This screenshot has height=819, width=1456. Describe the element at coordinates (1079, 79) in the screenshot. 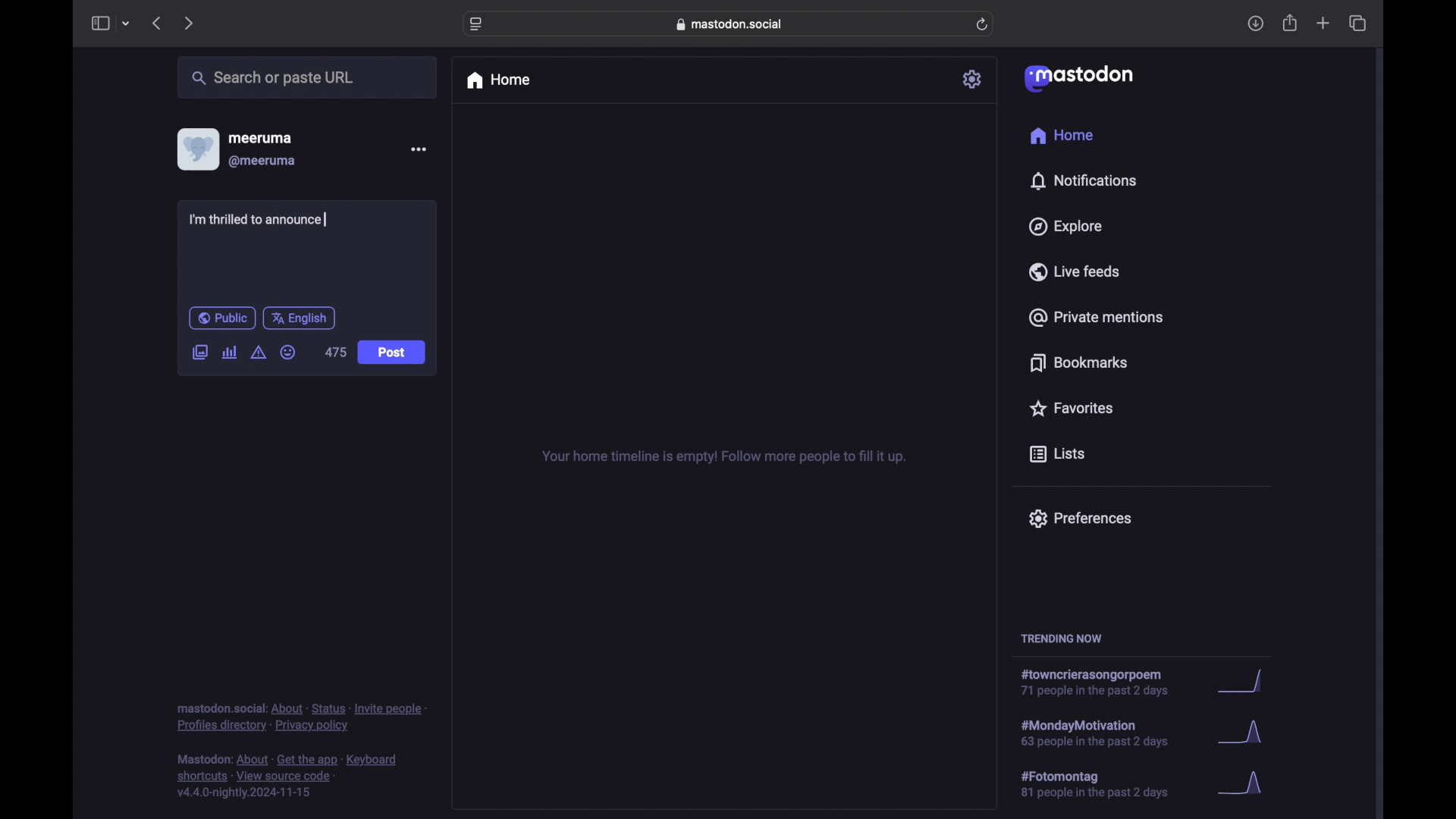

I see `mastodon` at that location.